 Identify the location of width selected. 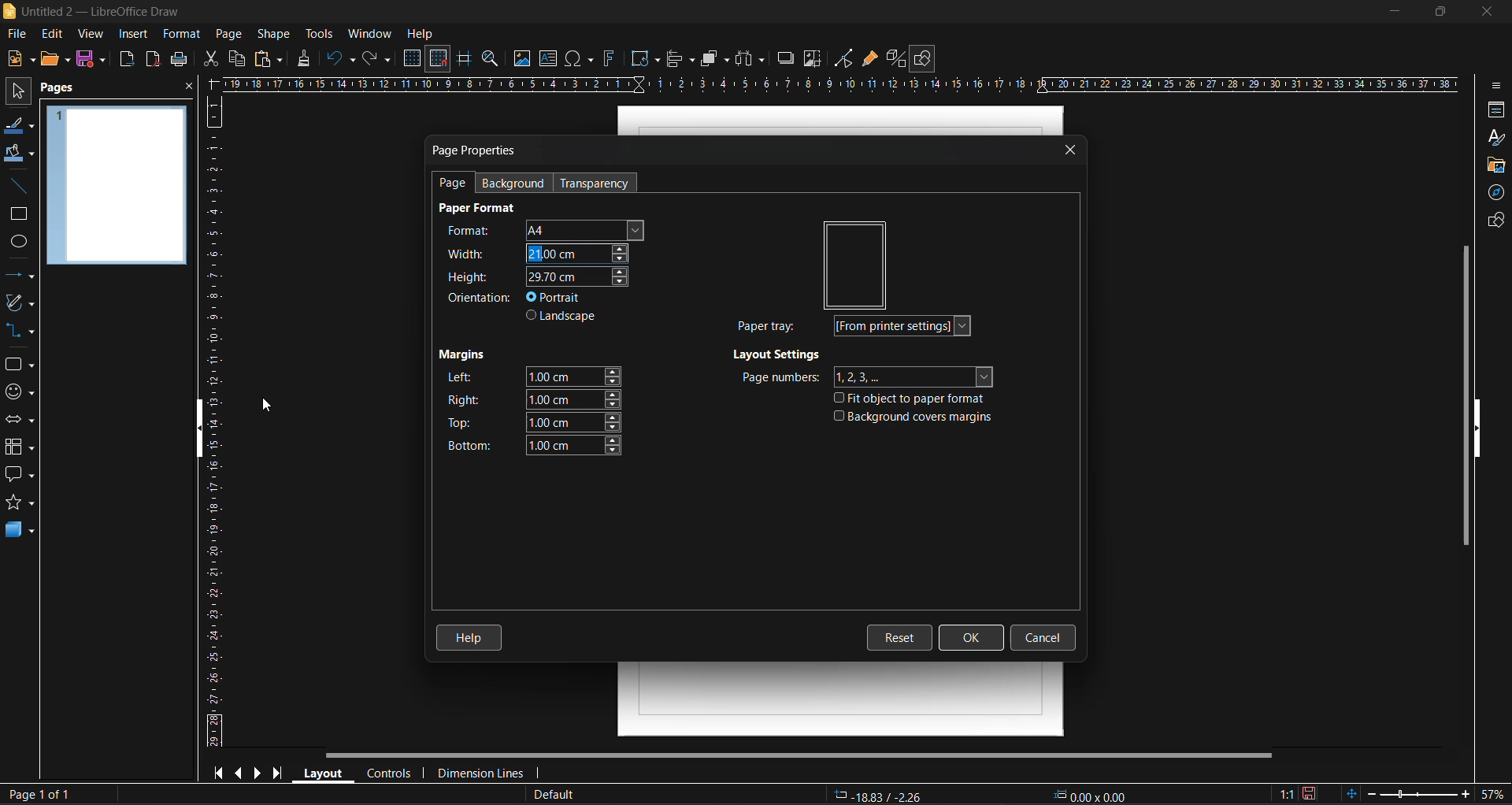
(535, 254).